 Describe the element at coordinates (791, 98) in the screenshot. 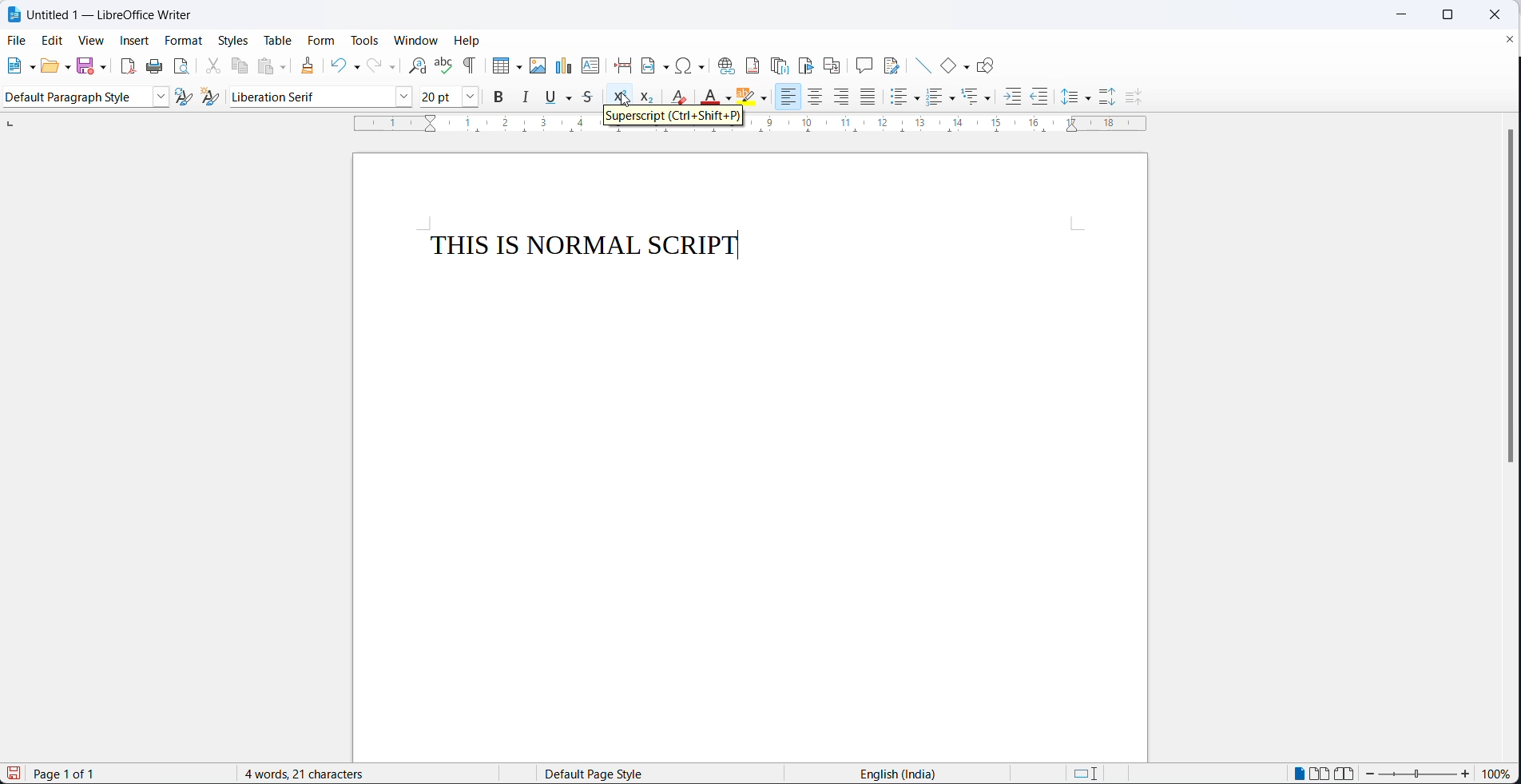

I see `text align left` at that location.